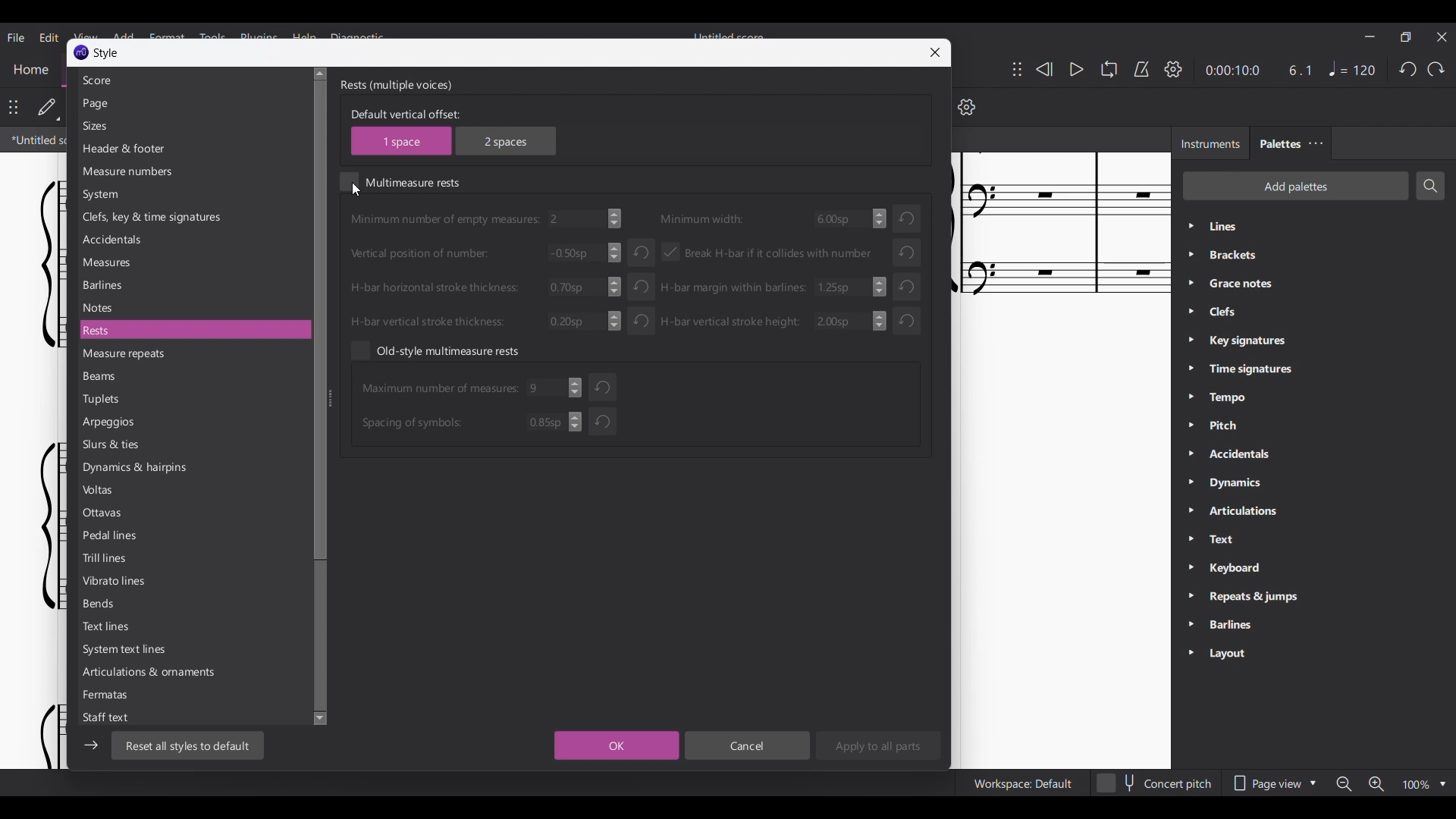 Image resolution: width=1456 pixels, height=819 pixels. I want to click on Dynamics and hairpins, so click(192, 468).